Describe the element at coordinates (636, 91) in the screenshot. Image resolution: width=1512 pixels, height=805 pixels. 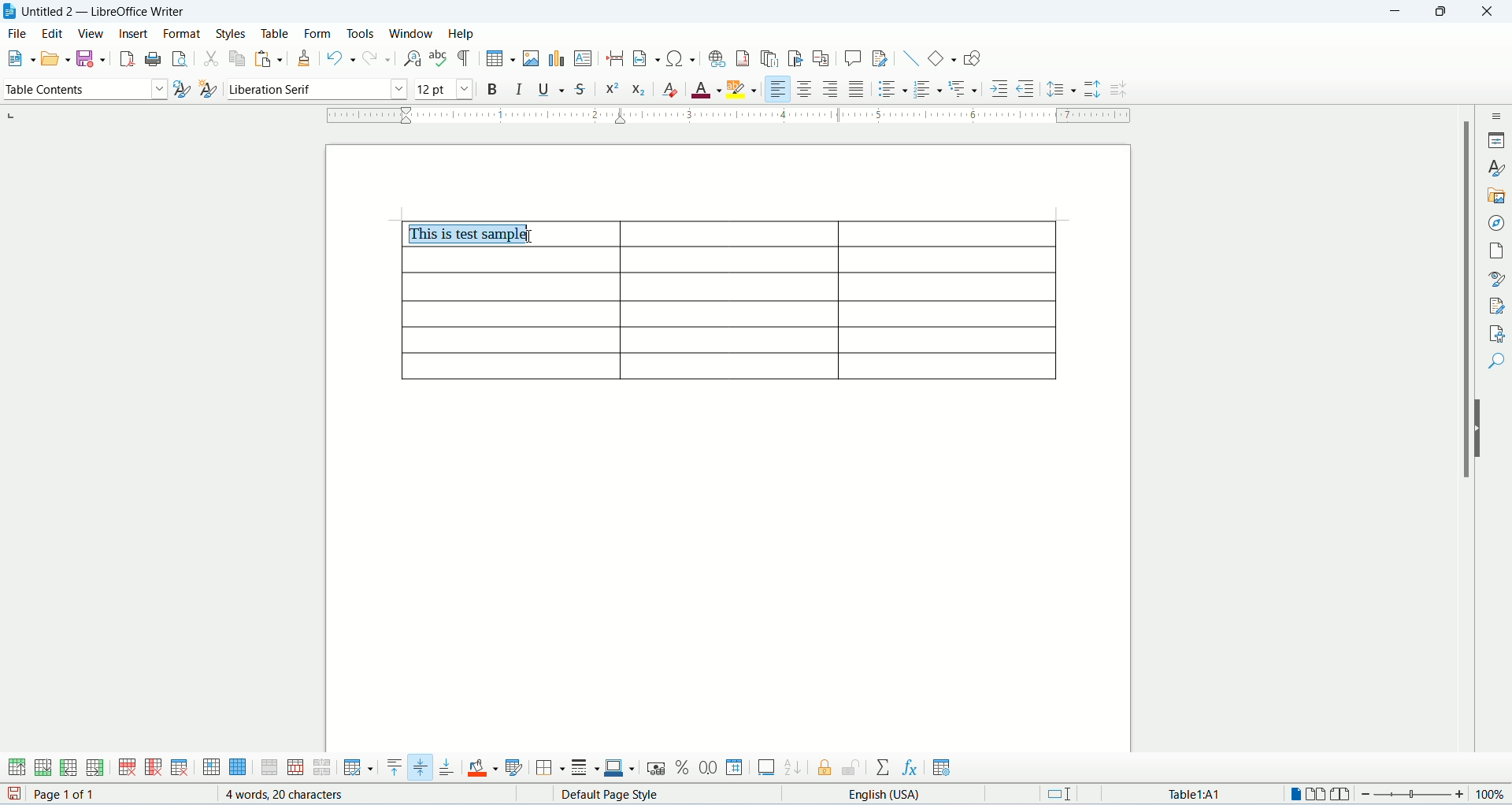
I see `subscript` at that location.